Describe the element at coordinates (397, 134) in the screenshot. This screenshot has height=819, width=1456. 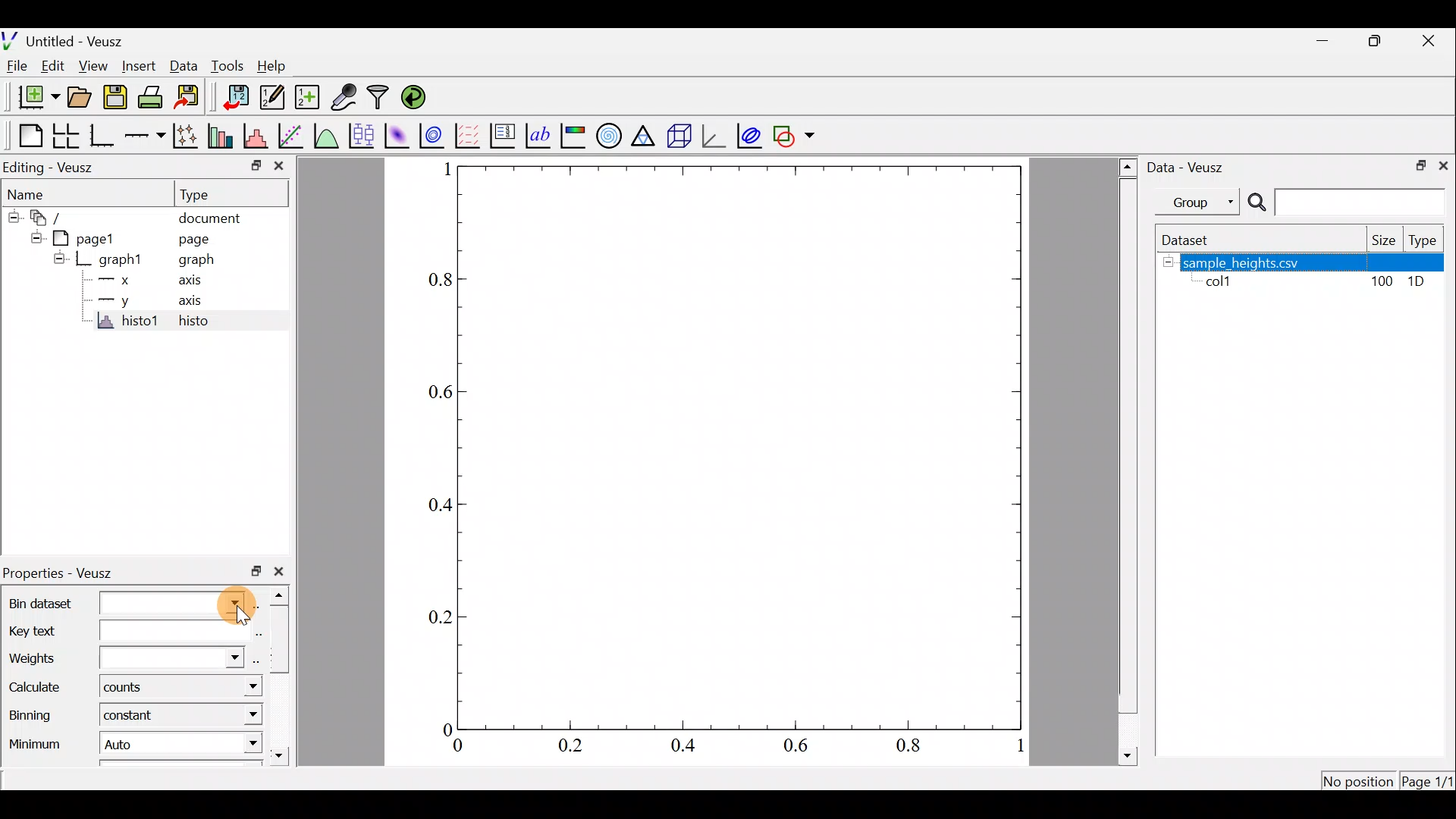
I see `plot a 2d dataset as an image` at that location.